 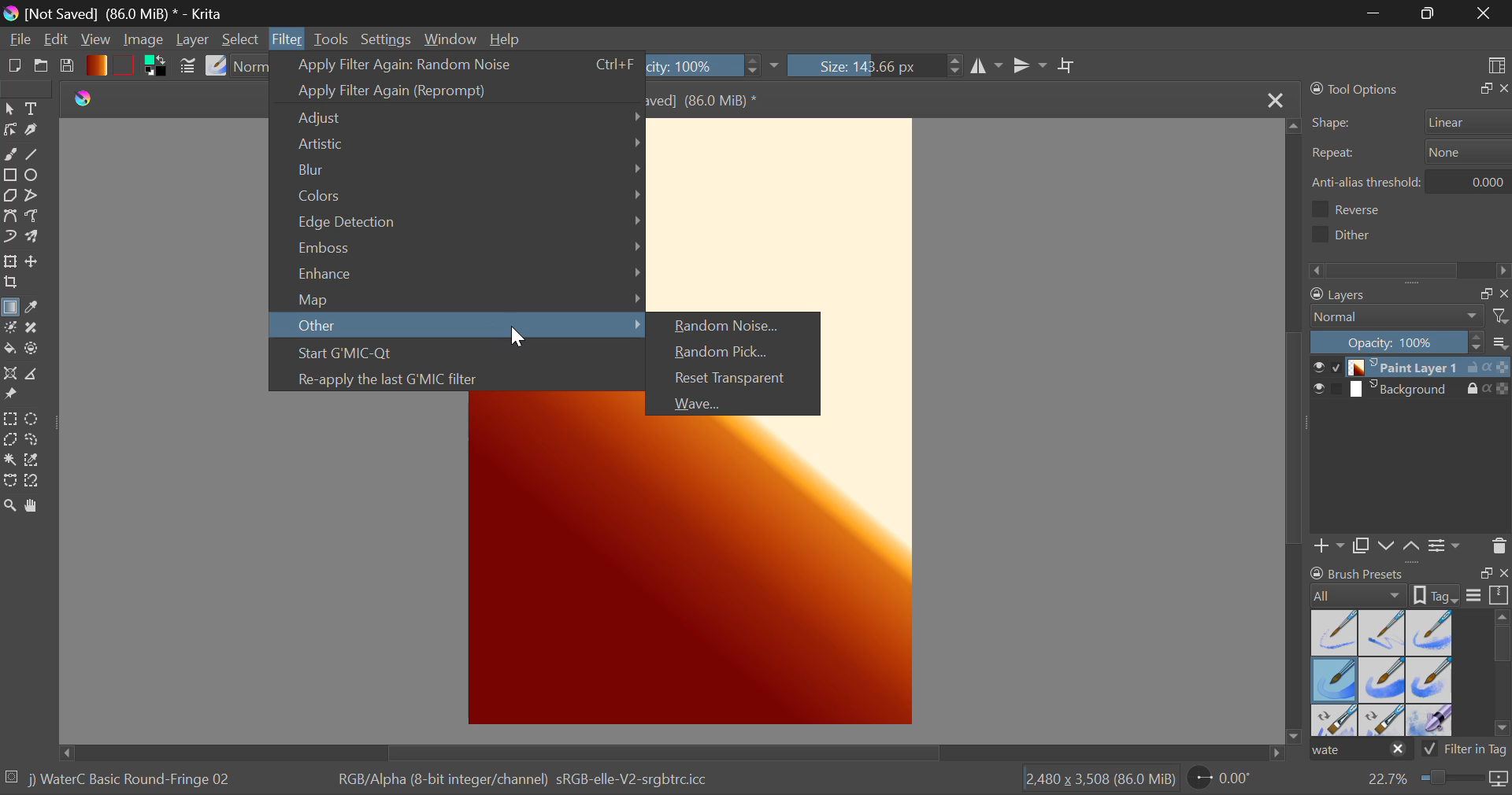 I want to click on Pattern, so click(x=126, y=64).